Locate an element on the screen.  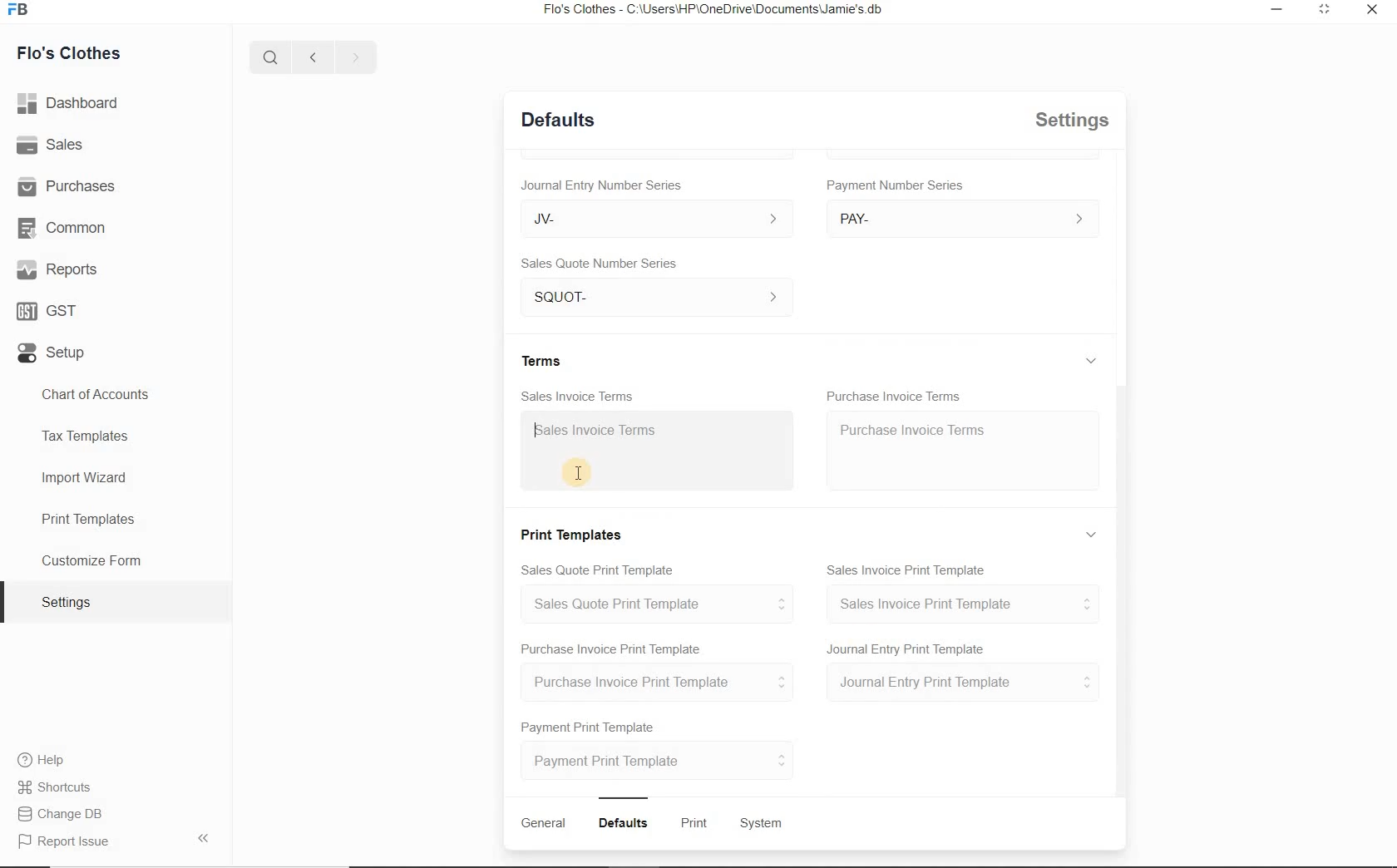
Sales Quote Print Template is located at coordinates (595, 570).